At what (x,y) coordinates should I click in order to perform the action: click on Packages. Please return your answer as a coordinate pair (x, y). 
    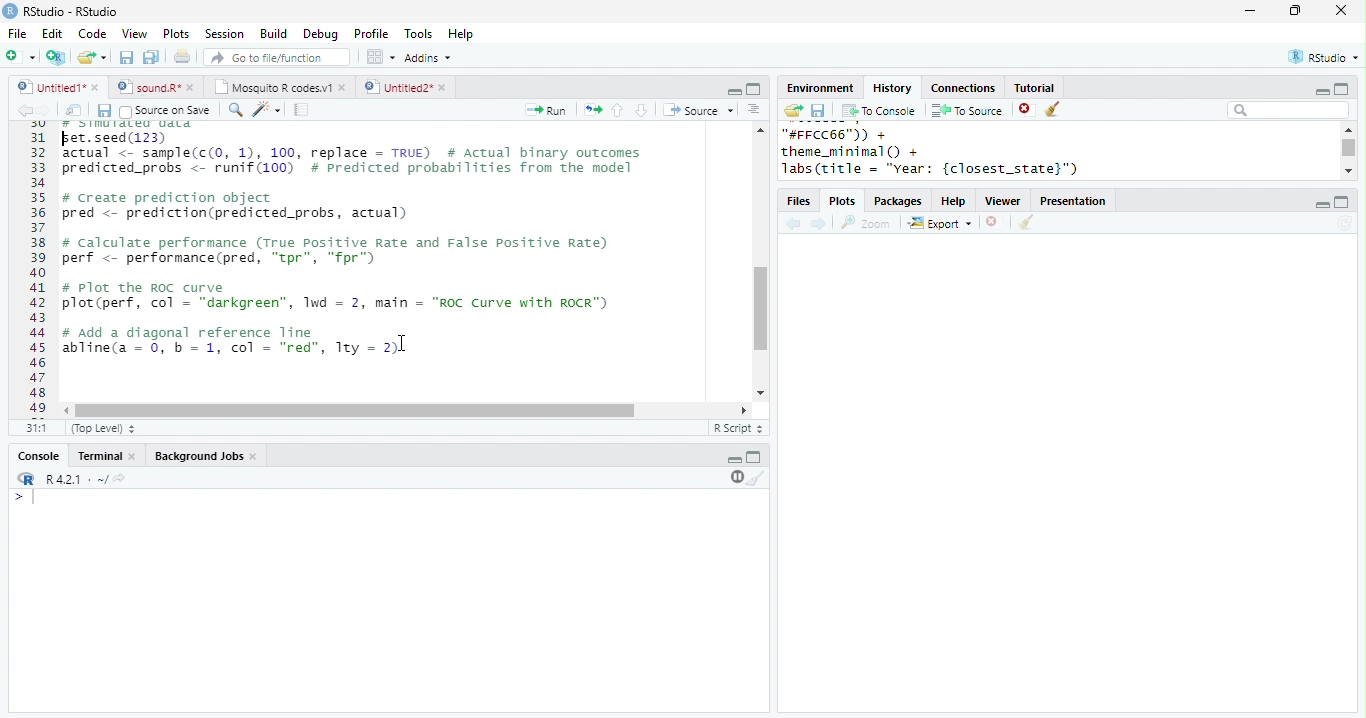
    Looking at the image, I should click on (898, 202).